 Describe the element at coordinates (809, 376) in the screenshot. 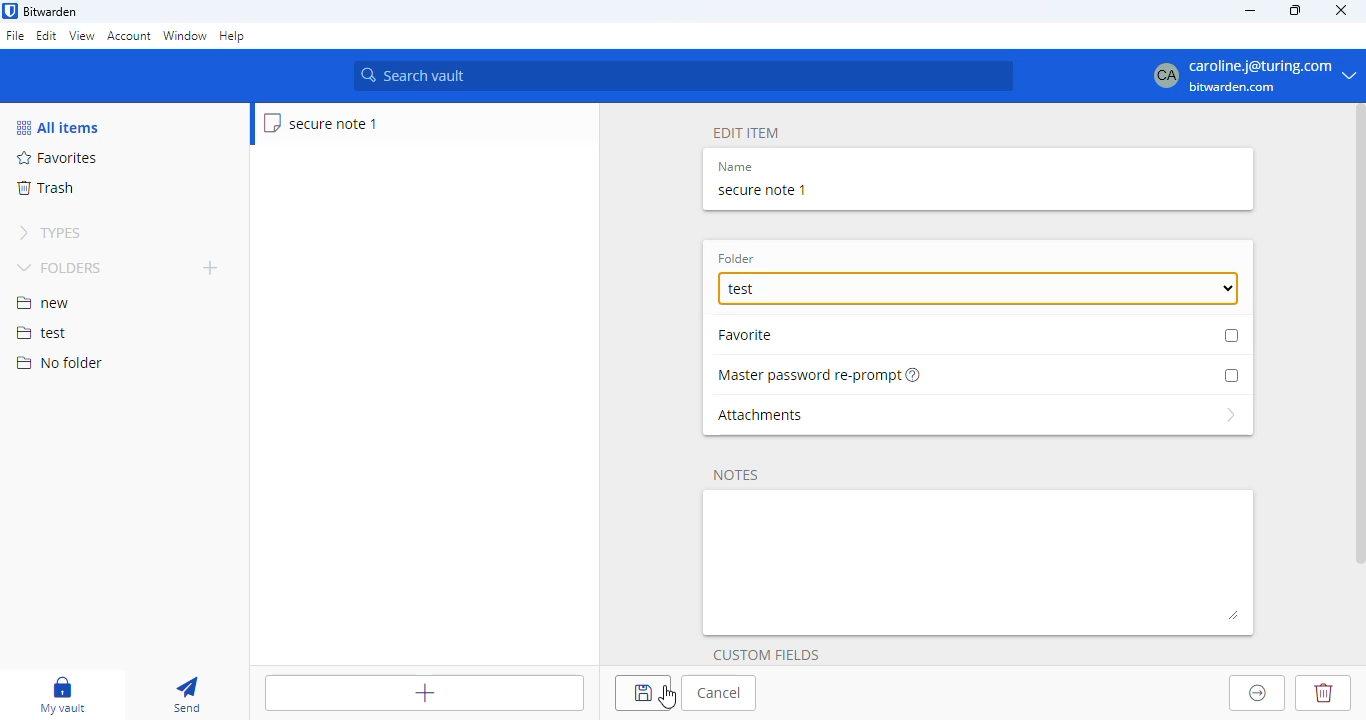

I see `master password re-prompt` at that location.